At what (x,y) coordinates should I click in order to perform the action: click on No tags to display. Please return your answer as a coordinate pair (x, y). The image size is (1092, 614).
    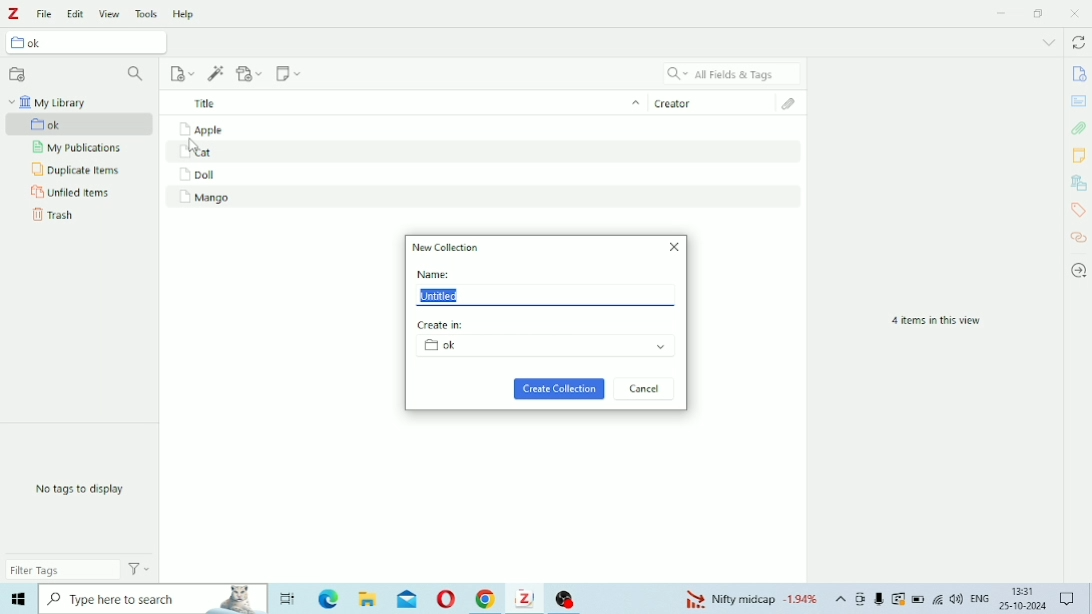
    Looking at the image, I should click on (83, 489).